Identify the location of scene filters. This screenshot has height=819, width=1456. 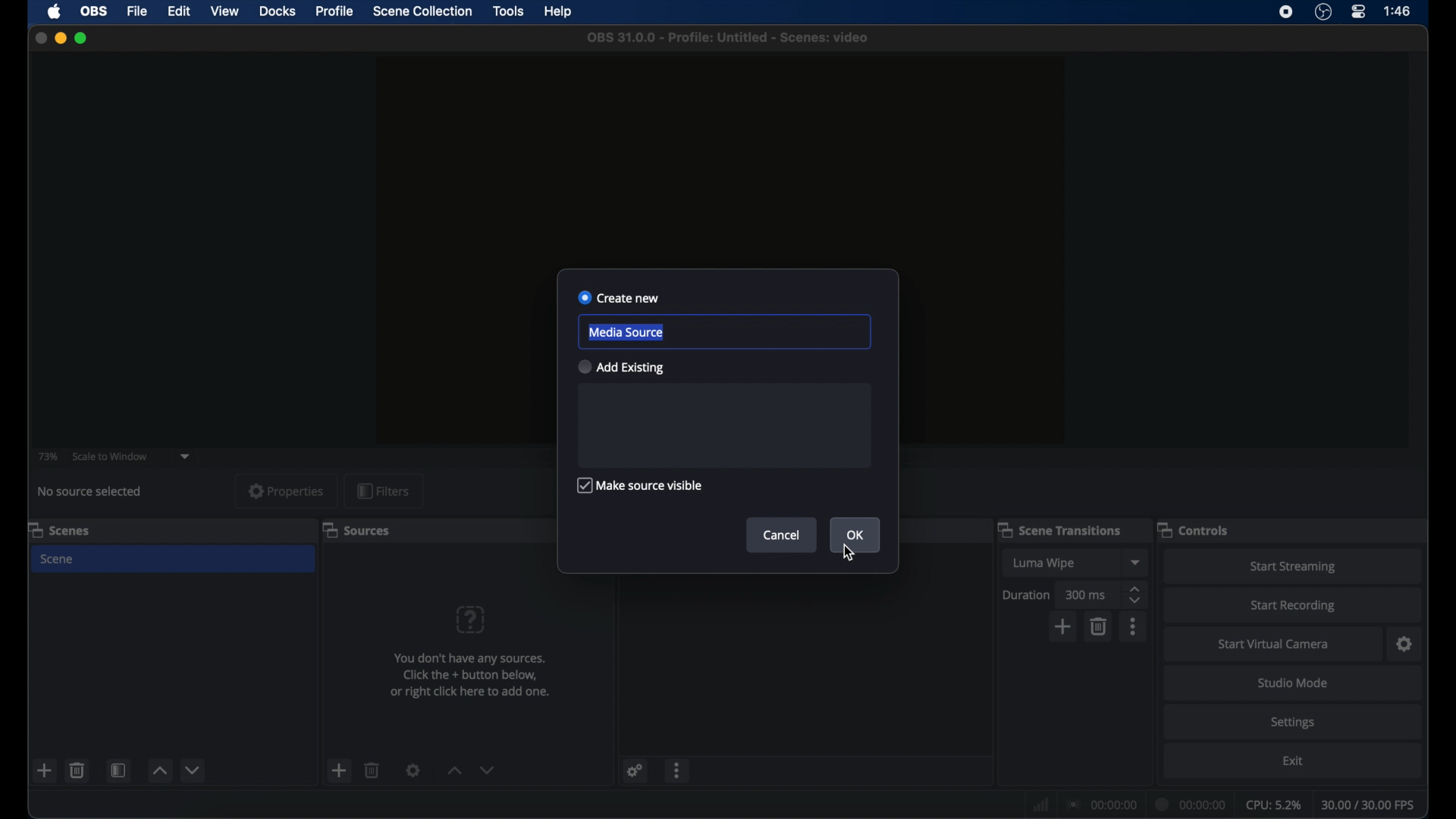
(118, 770).